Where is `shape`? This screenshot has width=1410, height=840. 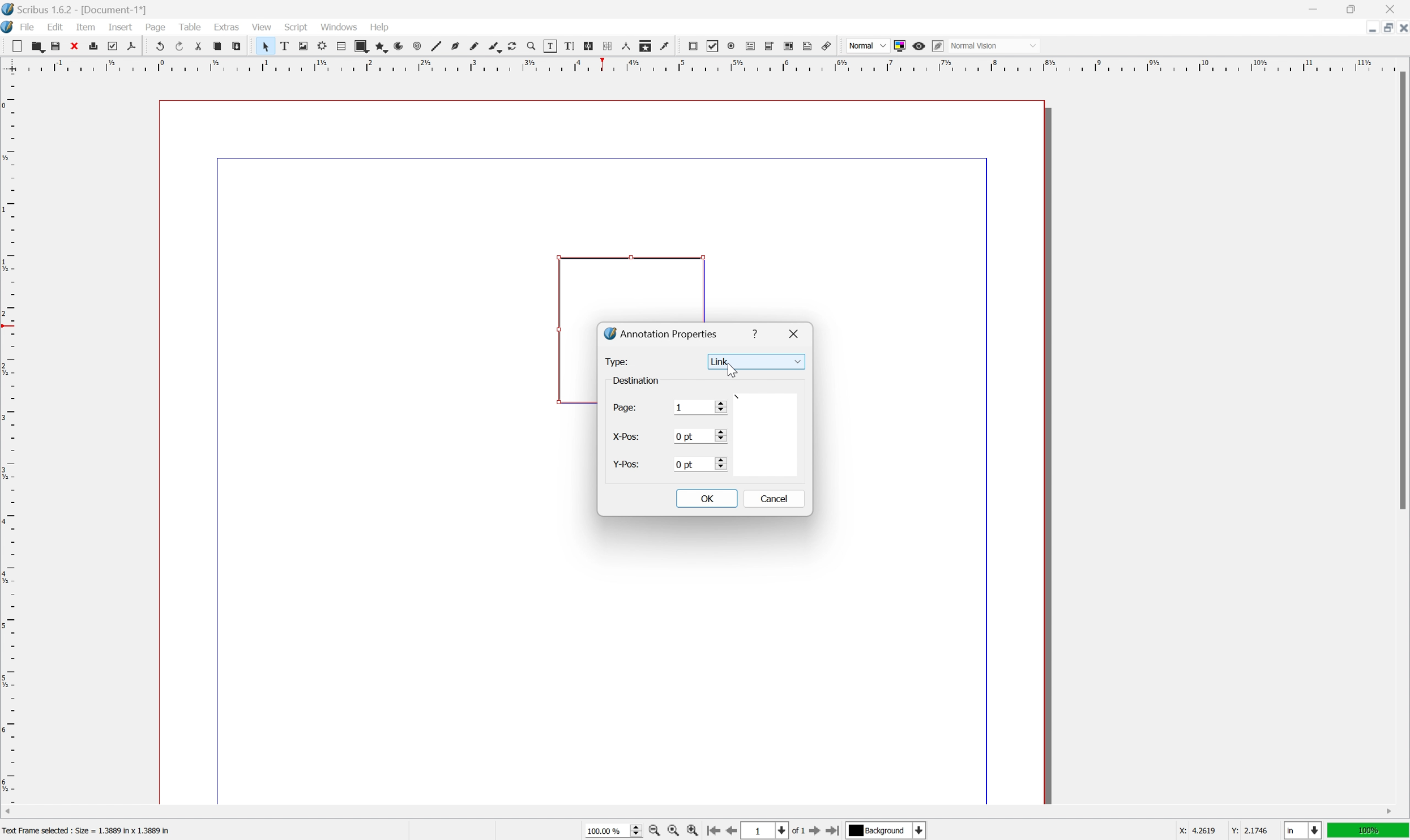
shape is located at coordinates (361, 46).